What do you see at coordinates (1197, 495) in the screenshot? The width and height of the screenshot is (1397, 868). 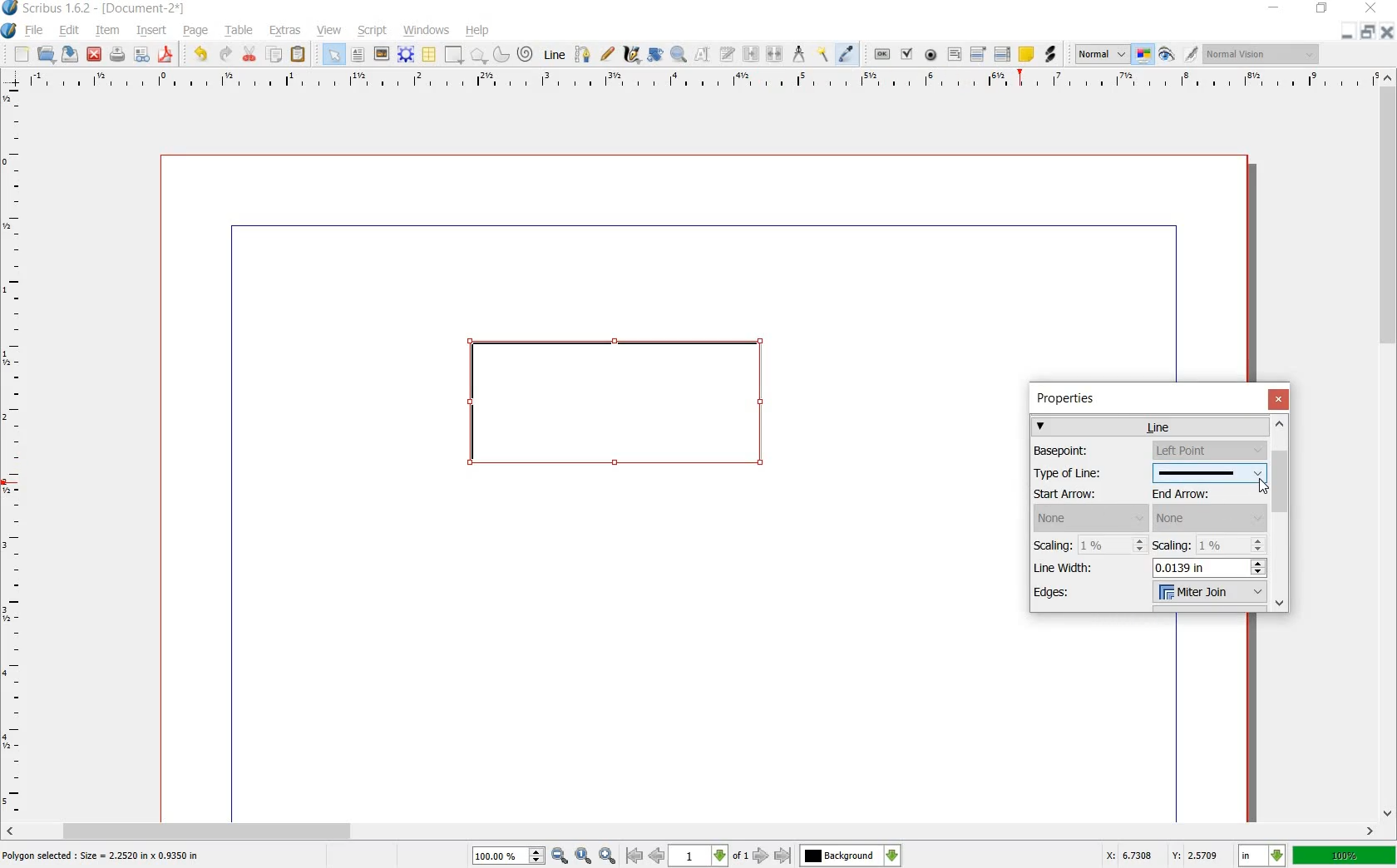 I see `End Arrow:` at bounding box center [1197, 495].